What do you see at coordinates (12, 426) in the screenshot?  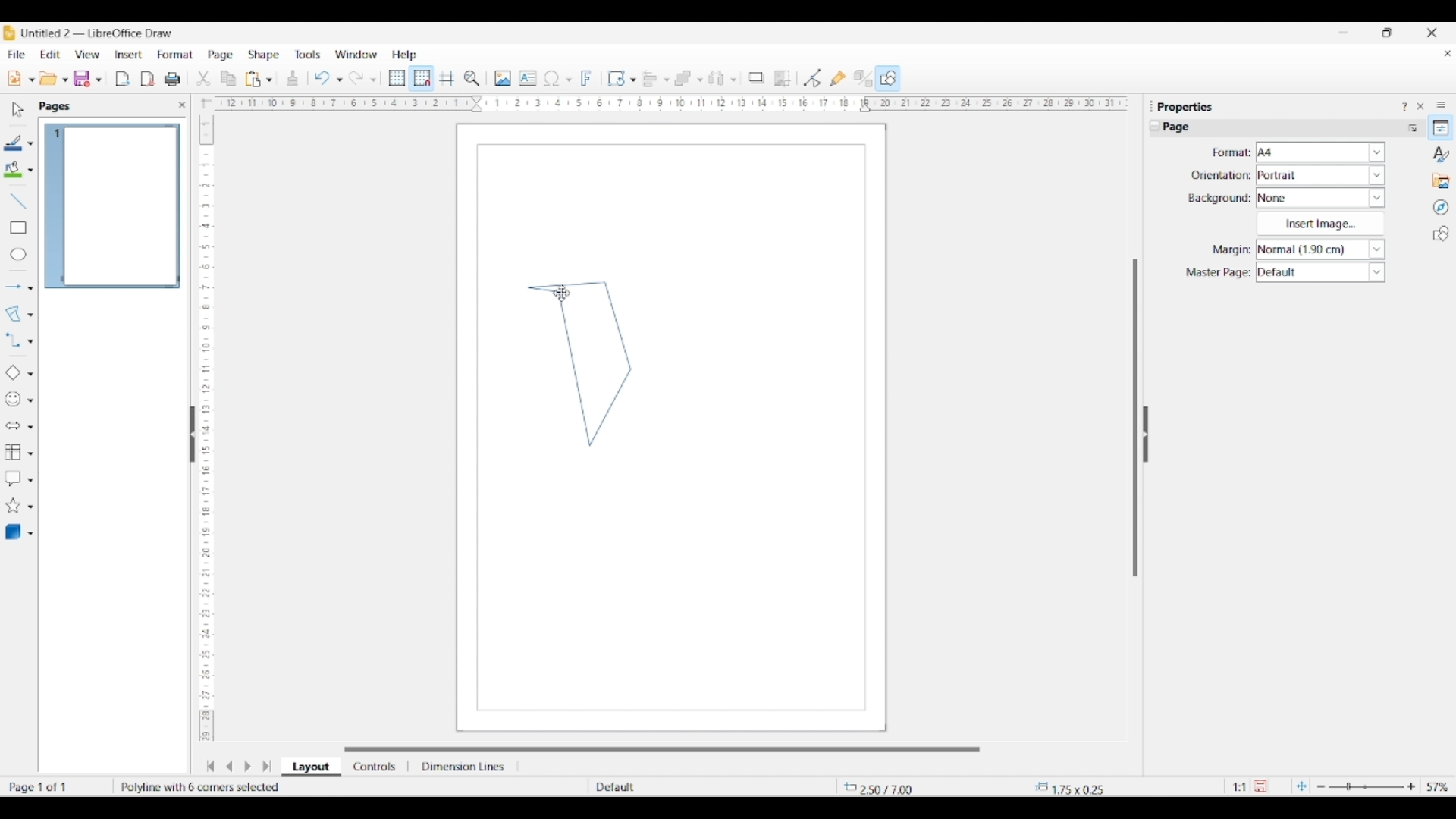 I see `Selected block arrow` at bounding box center [12, 426].